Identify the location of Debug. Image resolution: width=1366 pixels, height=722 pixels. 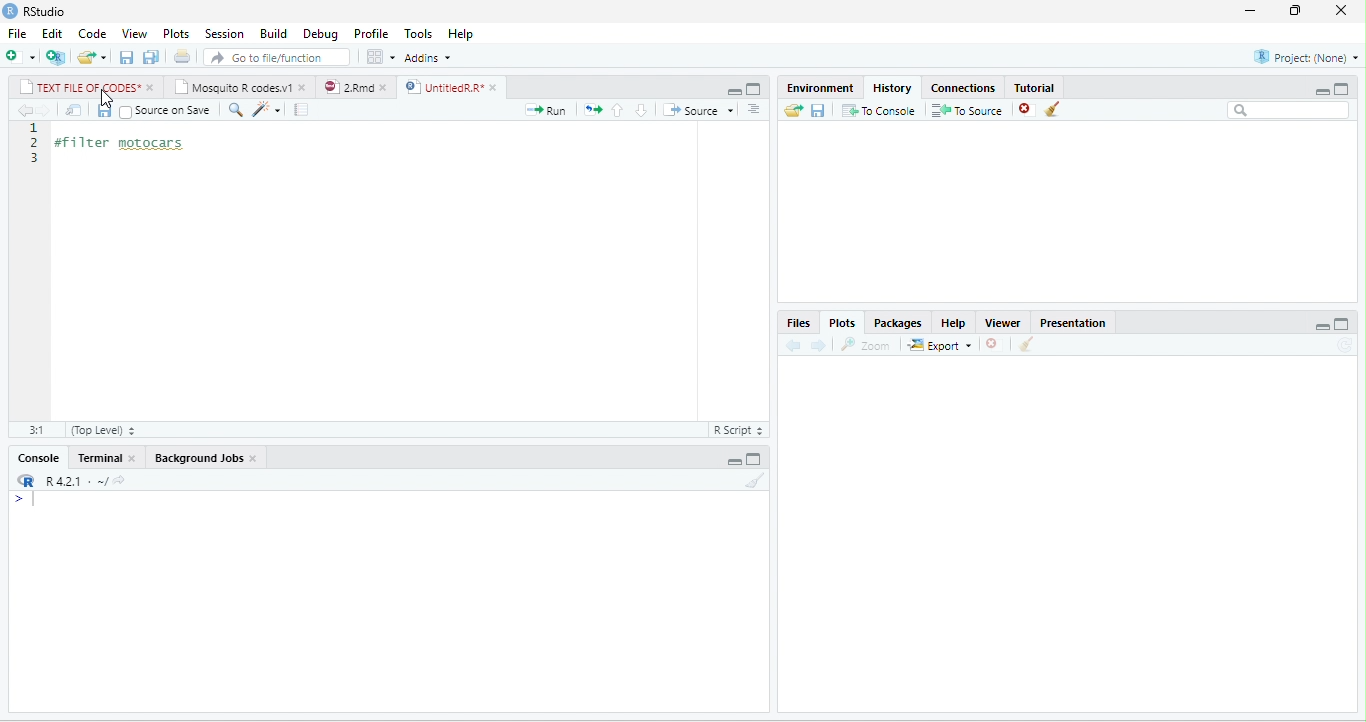
(320, 35).